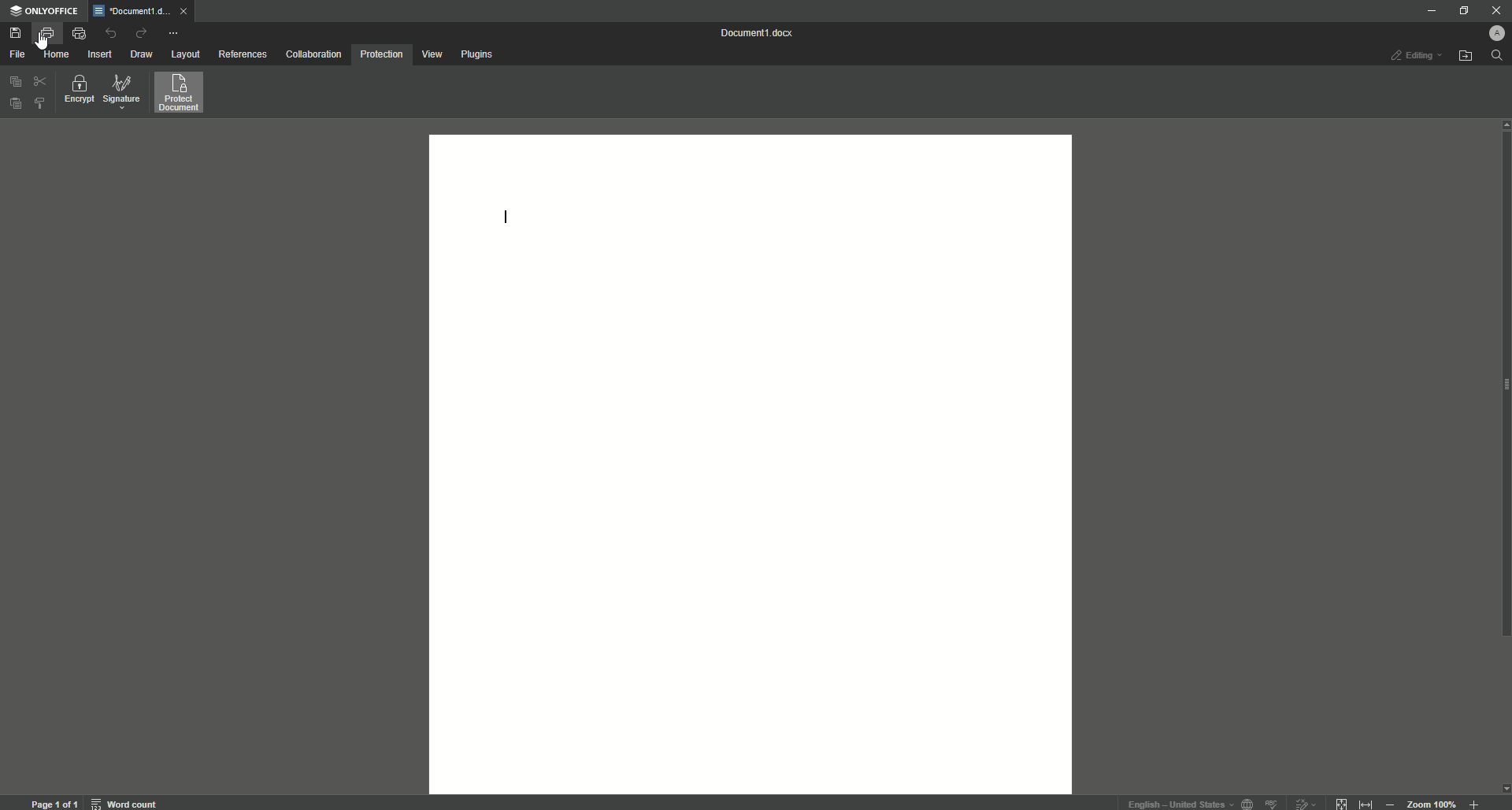 The image size is (1512, 810). I want to click on Zoom in, so click(1475, 801).